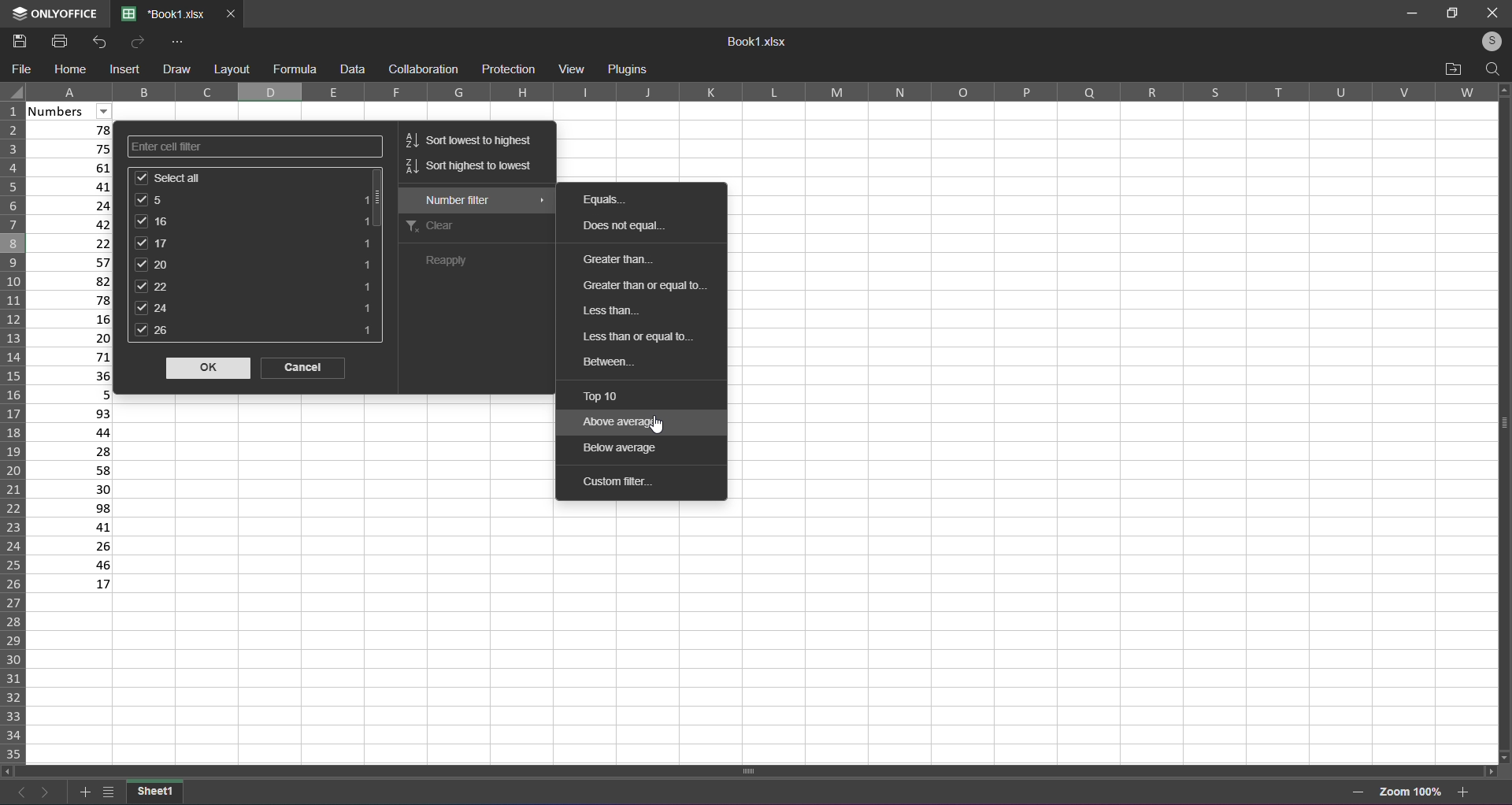 The image size is (1512, 805). Describe the element at coordinates (636, 422) in the screenshot. I see `above average` at that location.